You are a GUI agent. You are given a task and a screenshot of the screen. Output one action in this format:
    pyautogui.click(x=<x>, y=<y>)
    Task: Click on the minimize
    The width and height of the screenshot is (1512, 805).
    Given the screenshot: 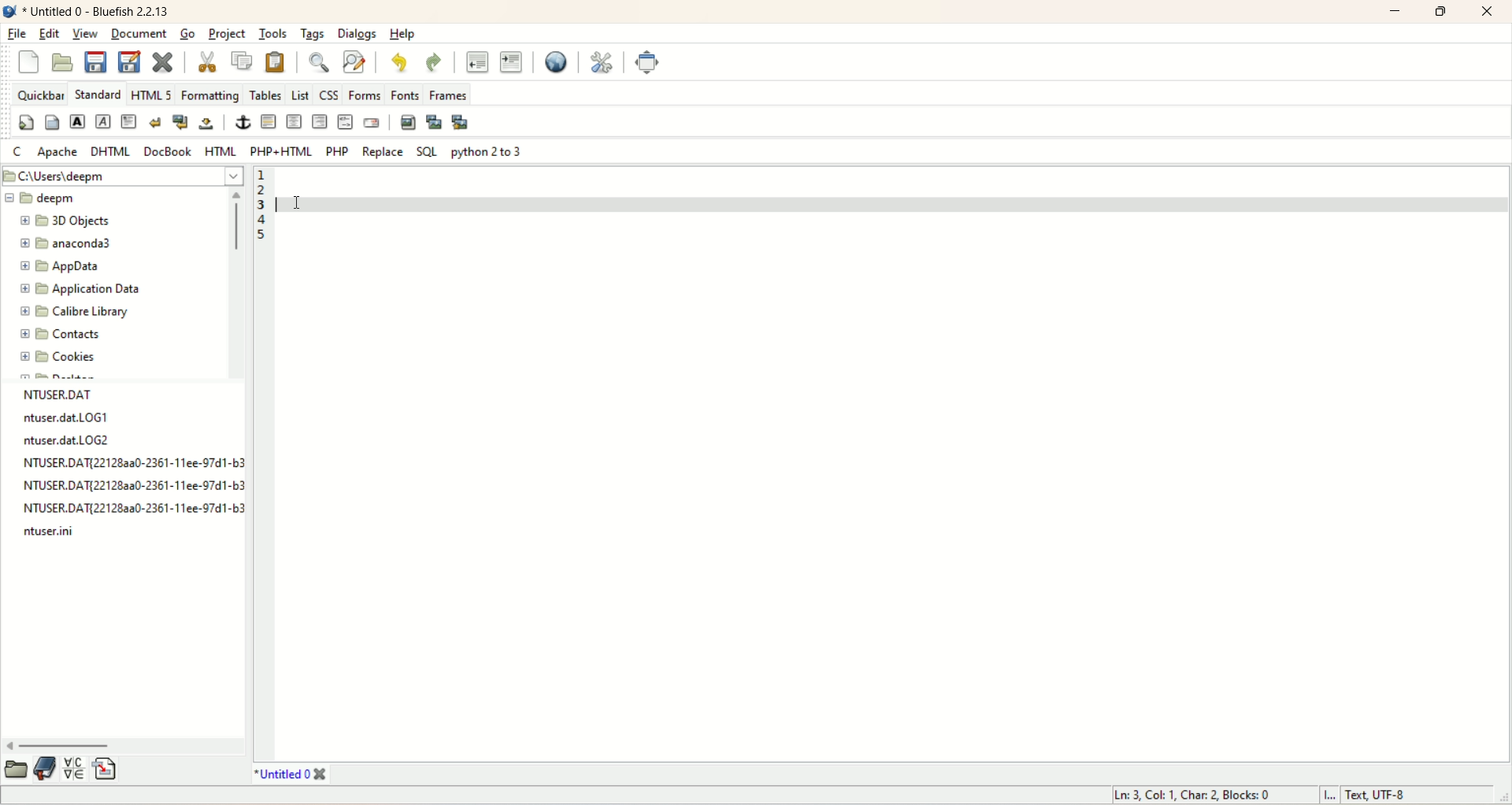 What is the action you would take?
    pyautogui.click(x=1396, y=13)
    